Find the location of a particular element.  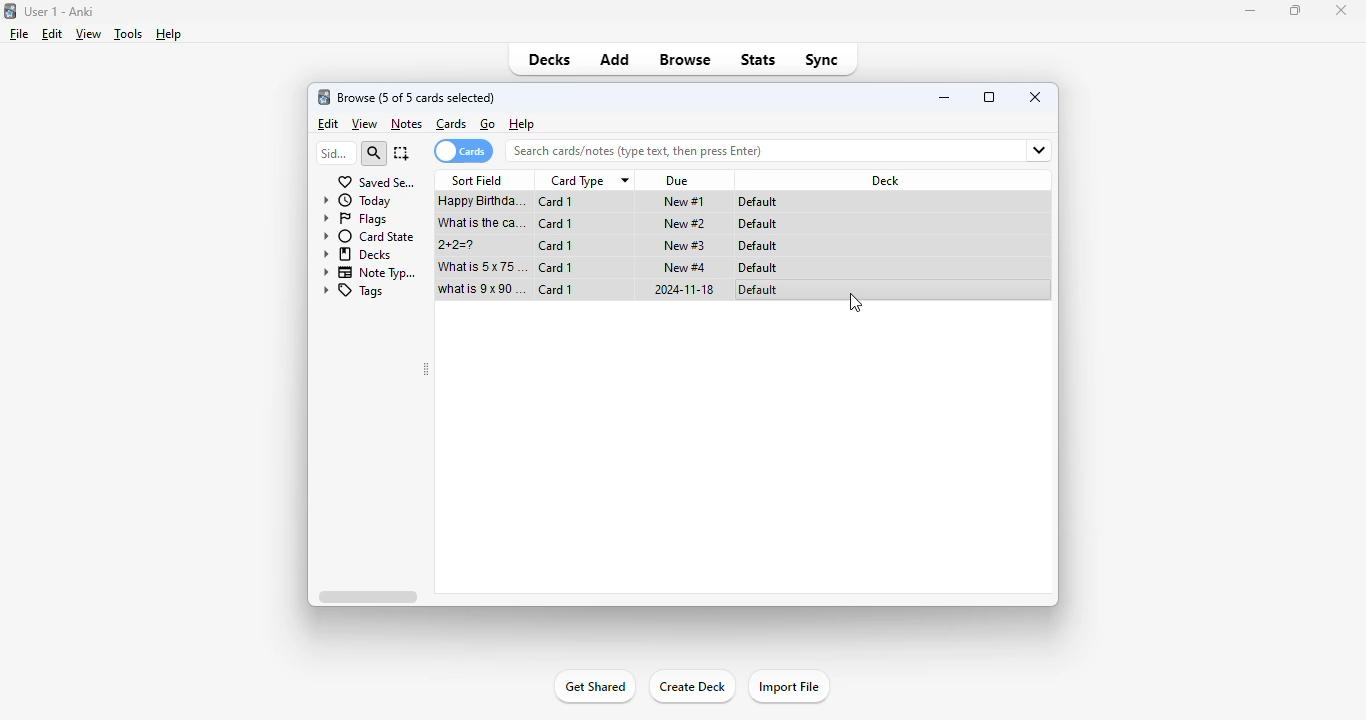

happy birthday song!!!.mp3 is located at coordinates (482, 201).